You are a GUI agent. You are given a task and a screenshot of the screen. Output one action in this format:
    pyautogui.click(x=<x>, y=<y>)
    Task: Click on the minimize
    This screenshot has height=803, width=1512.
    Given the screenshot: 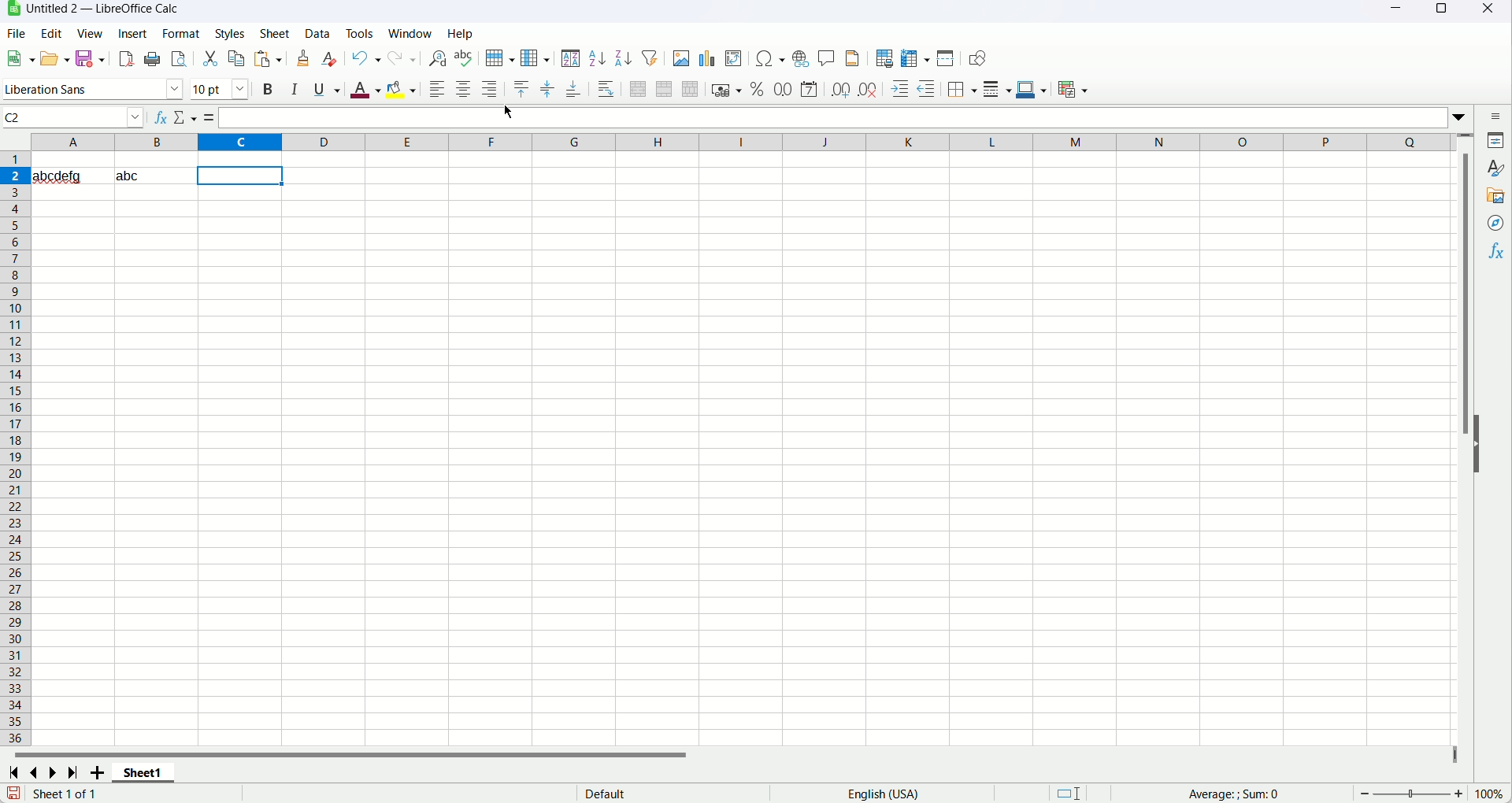 What is the action you would take?
    pyautogui.click(x=1398, y=9)
    